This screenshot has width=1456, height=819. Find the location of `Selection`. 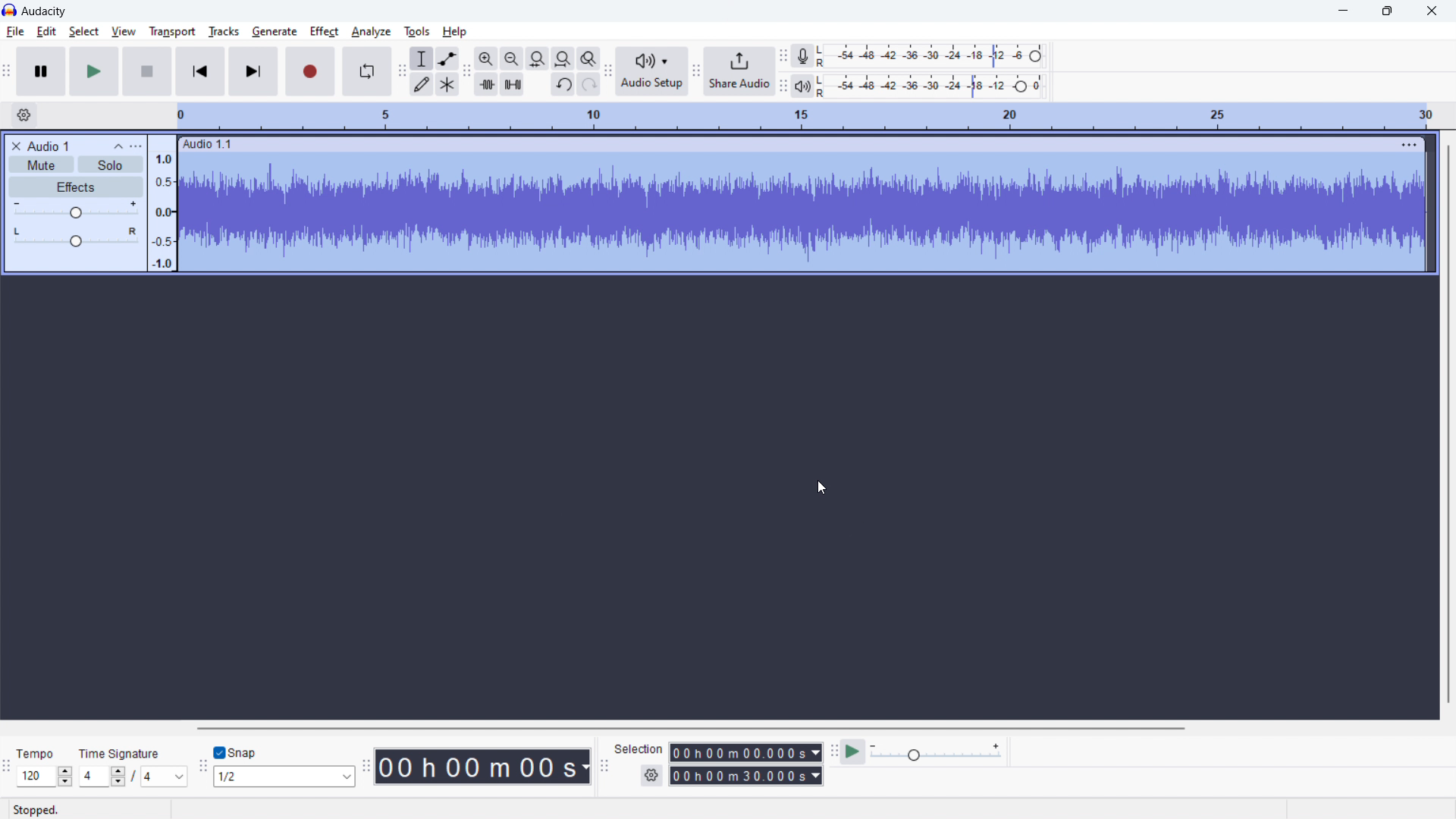

Selection is located at coordinates (640, 748).